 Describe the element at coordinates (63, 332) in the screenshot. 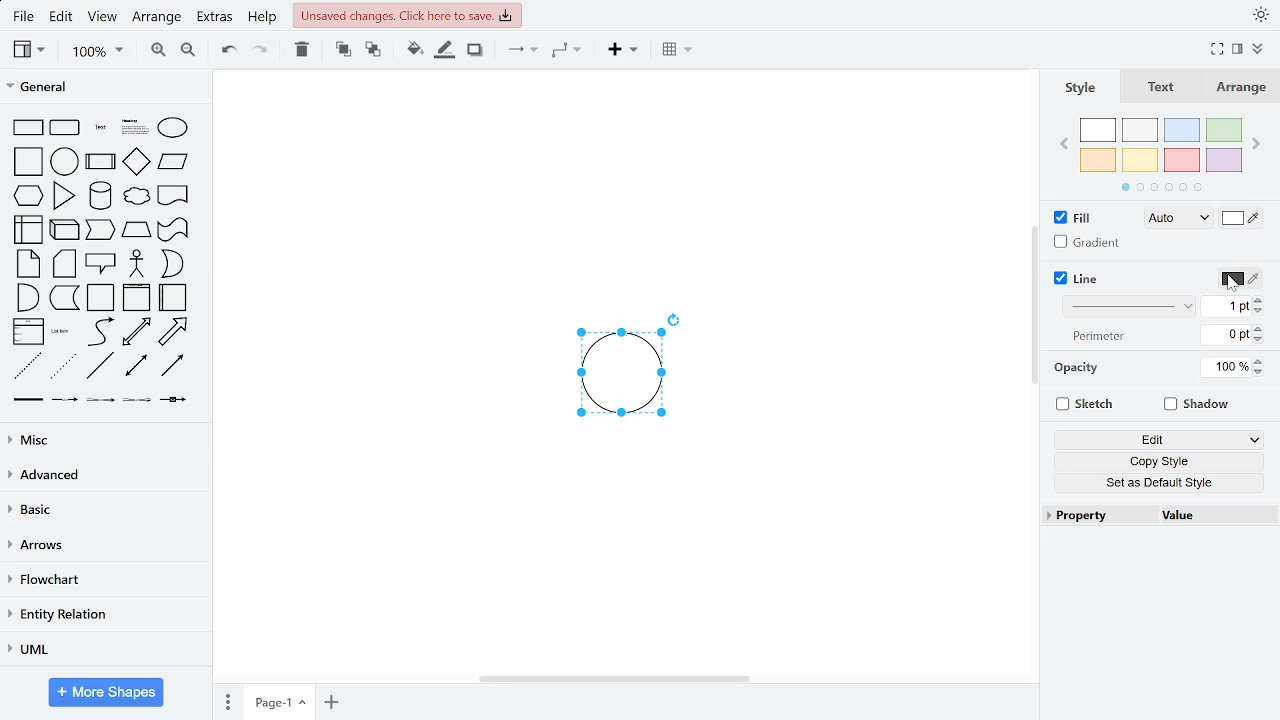

I see `list item` at that location.